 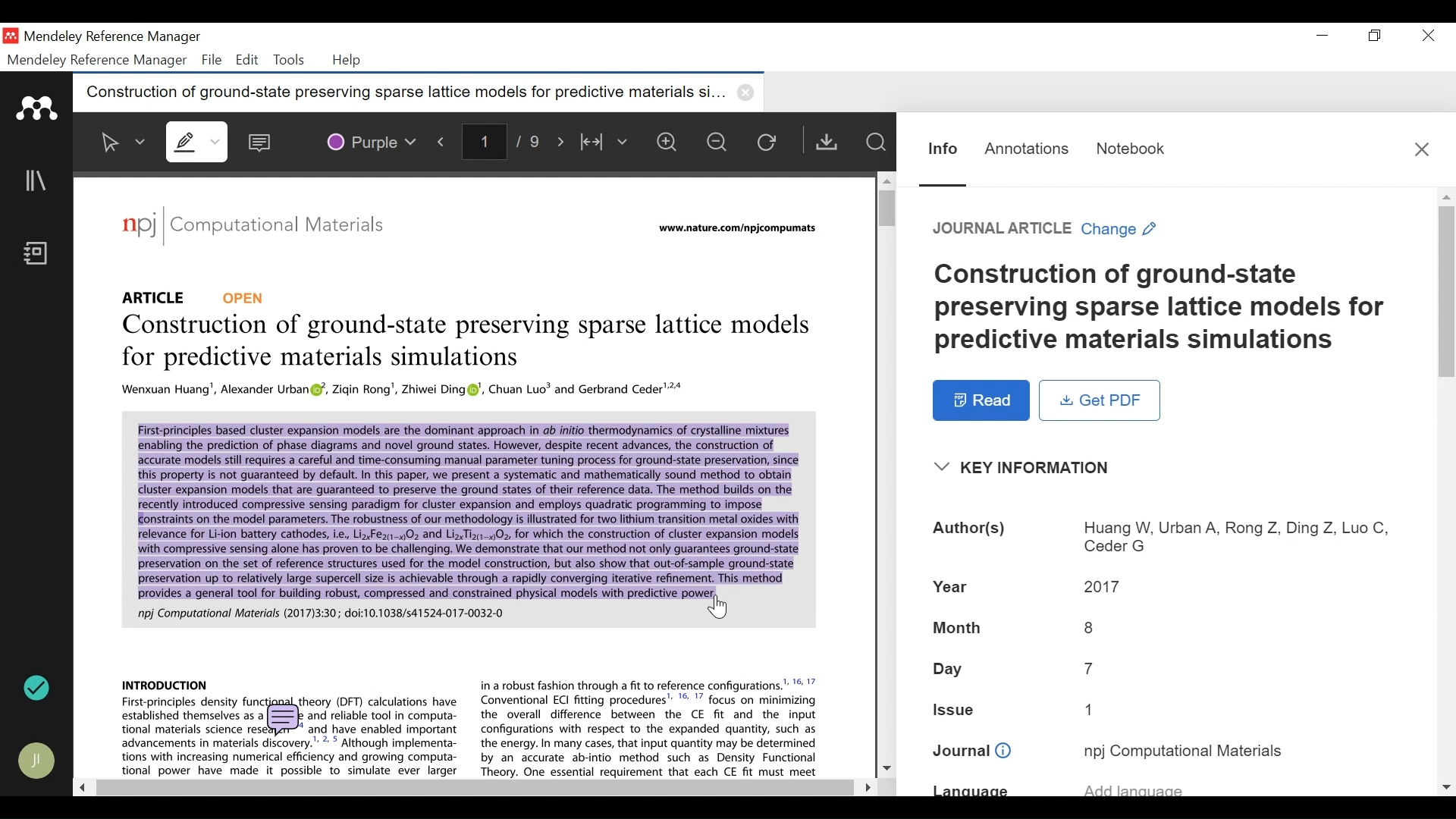 What do you see at coordinates (286, 720) in the screenshot?
I see `comment` at bounding box center [286, 720].